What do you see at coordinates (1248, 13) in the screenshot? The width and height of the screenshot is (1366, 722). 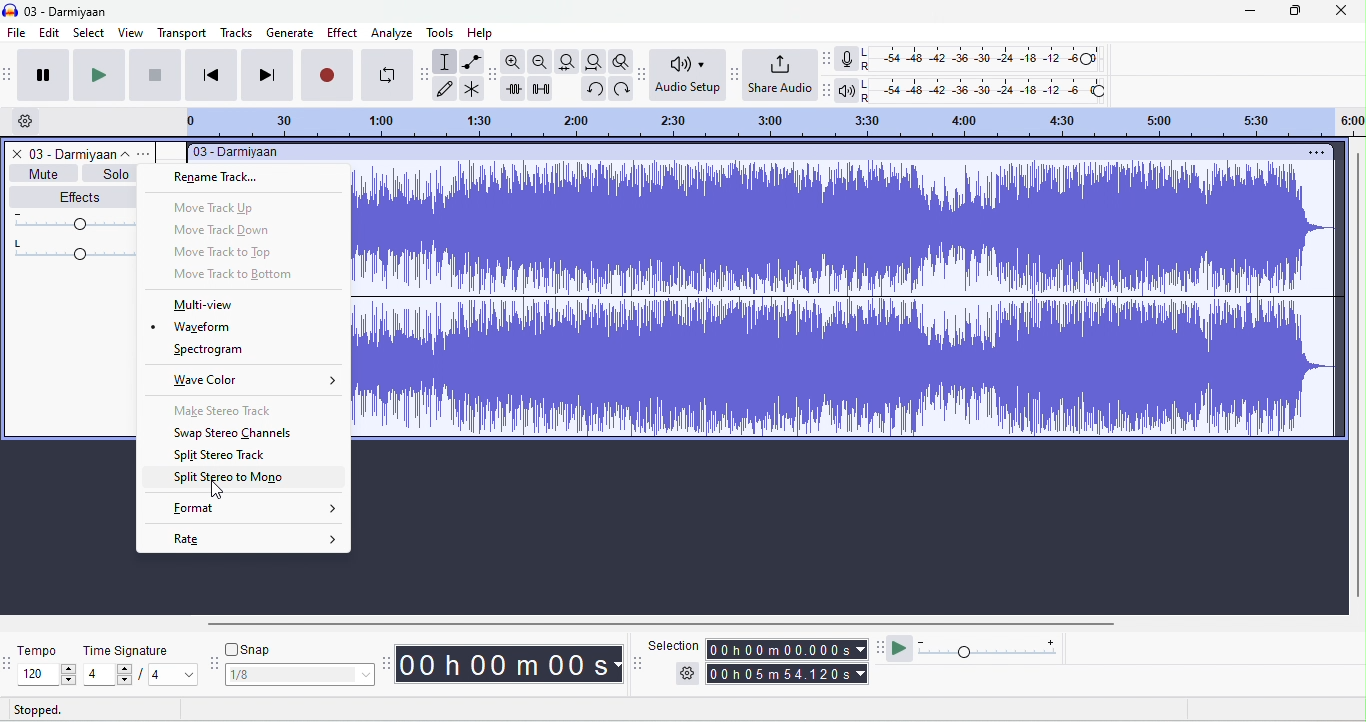 I see `minimize` at bounding box center [1248, 13].